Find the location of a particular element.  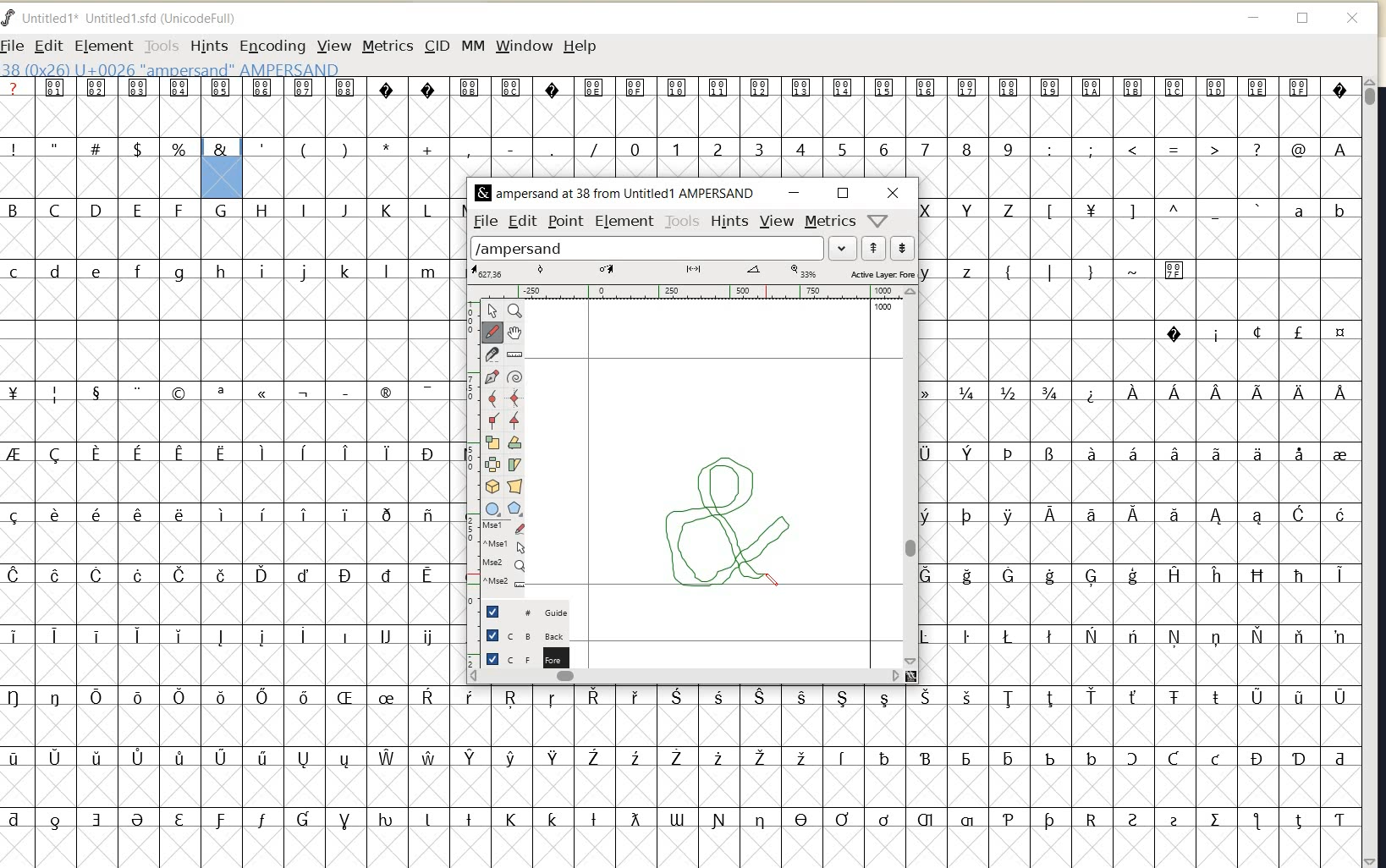

TOOLS is located at coordinates (160, 47).